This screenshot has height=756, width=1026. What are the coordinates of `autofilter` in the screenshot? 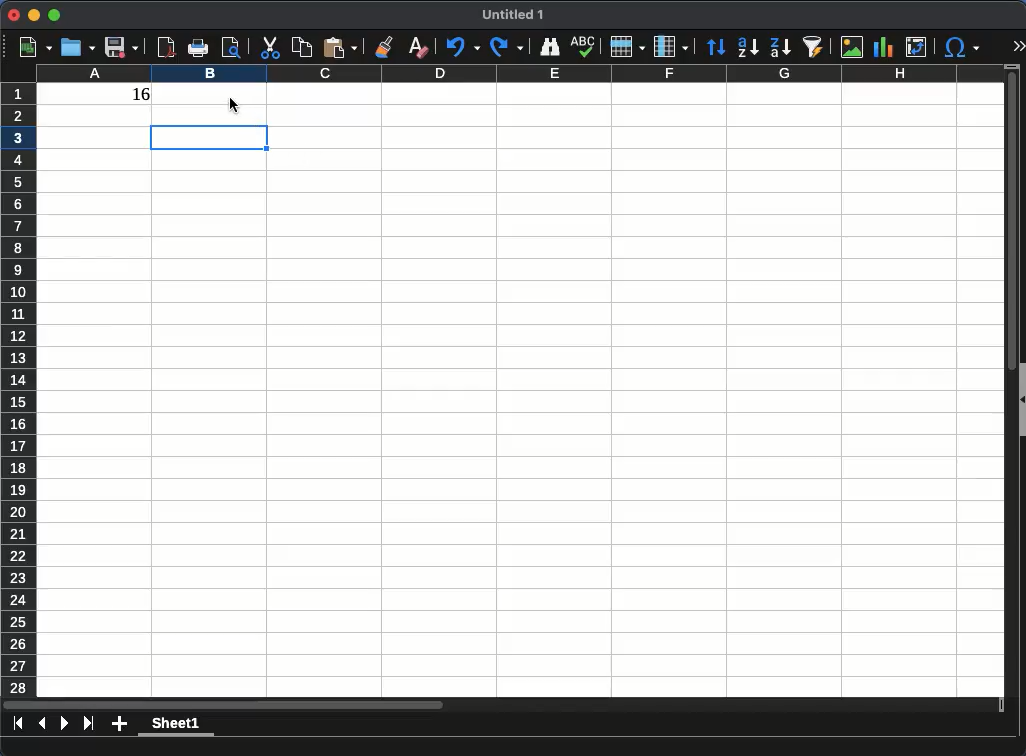 It's located at (814, 47).